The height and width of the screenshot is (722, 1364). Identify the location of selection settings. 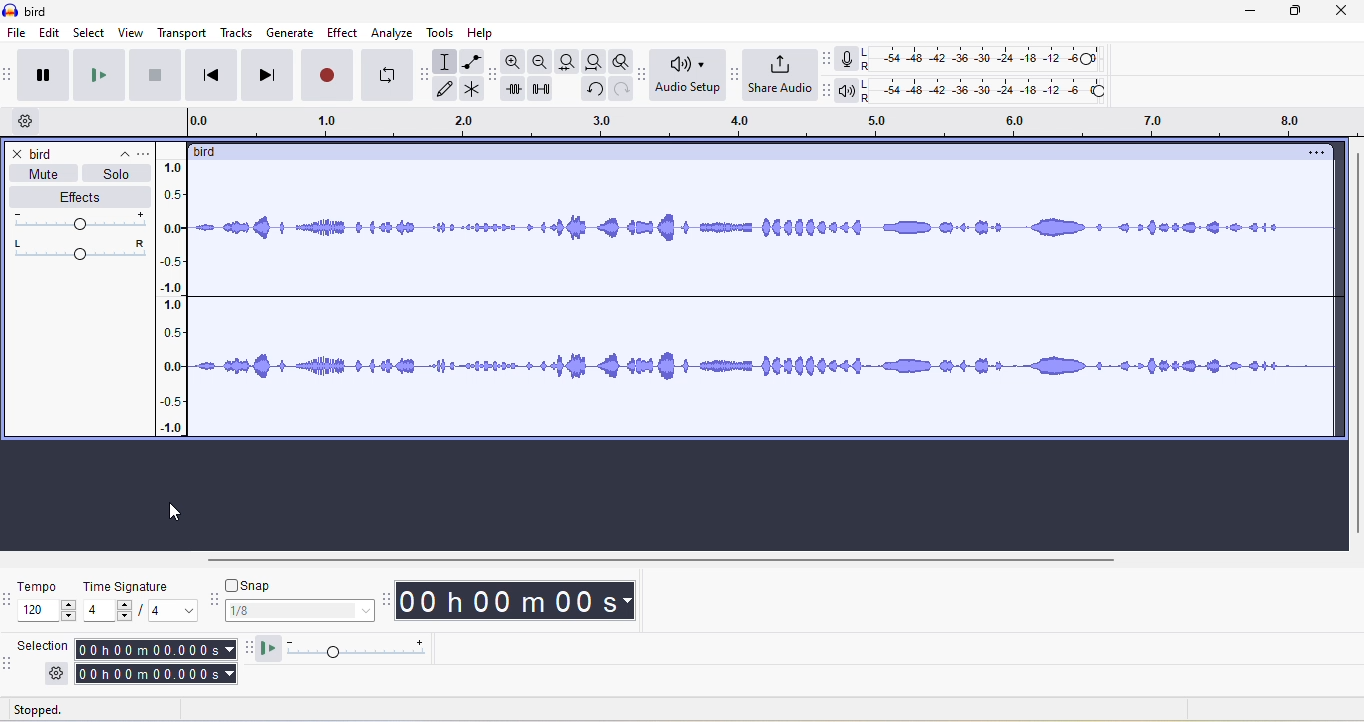
(54, 672).